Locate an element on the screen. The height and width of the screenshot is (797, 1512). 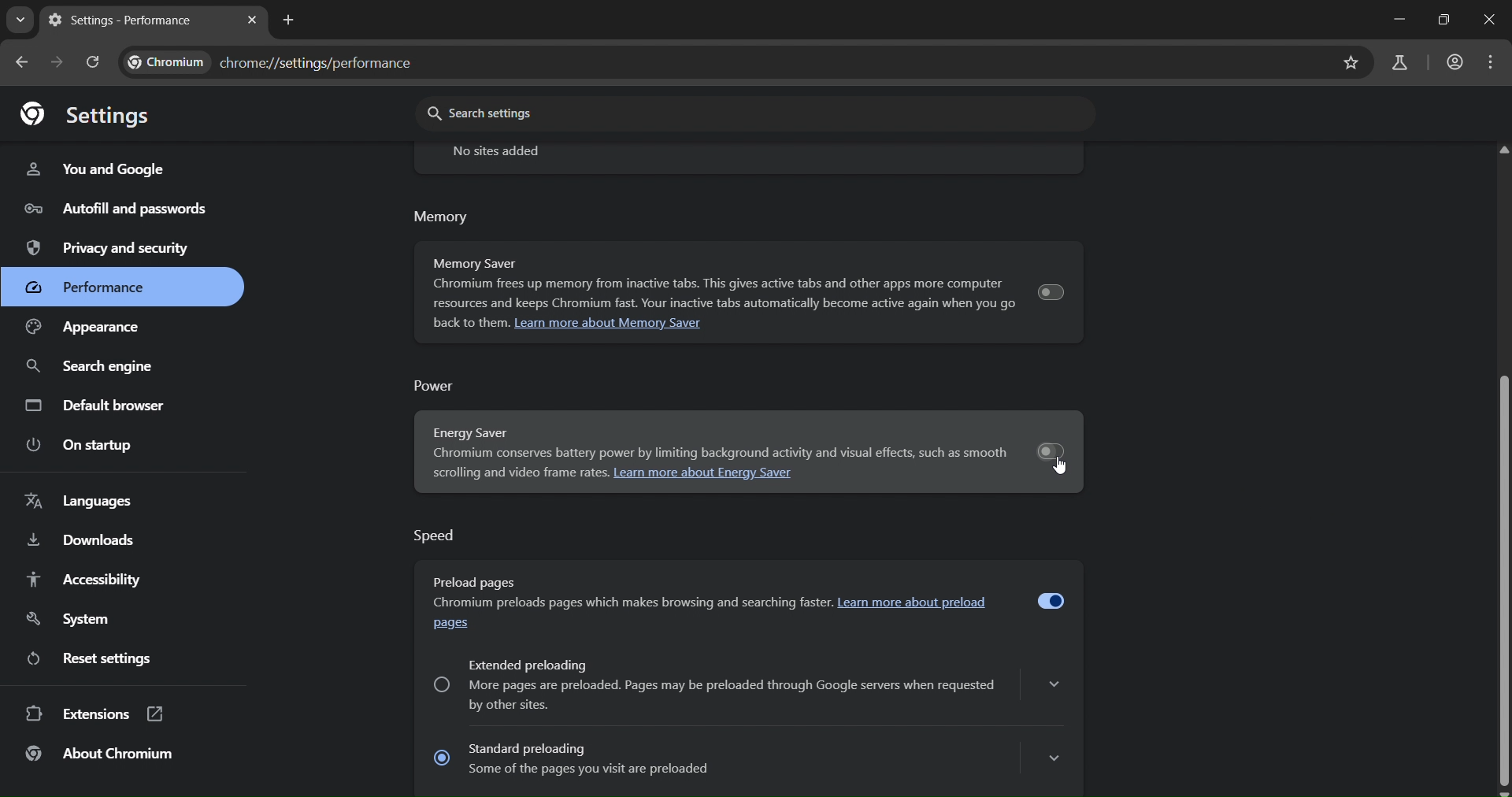
Extended preloading More pages are preloaded. Pages may be preloaded through Google servers when requestedby other sites. is located at coordinates (715, 687).